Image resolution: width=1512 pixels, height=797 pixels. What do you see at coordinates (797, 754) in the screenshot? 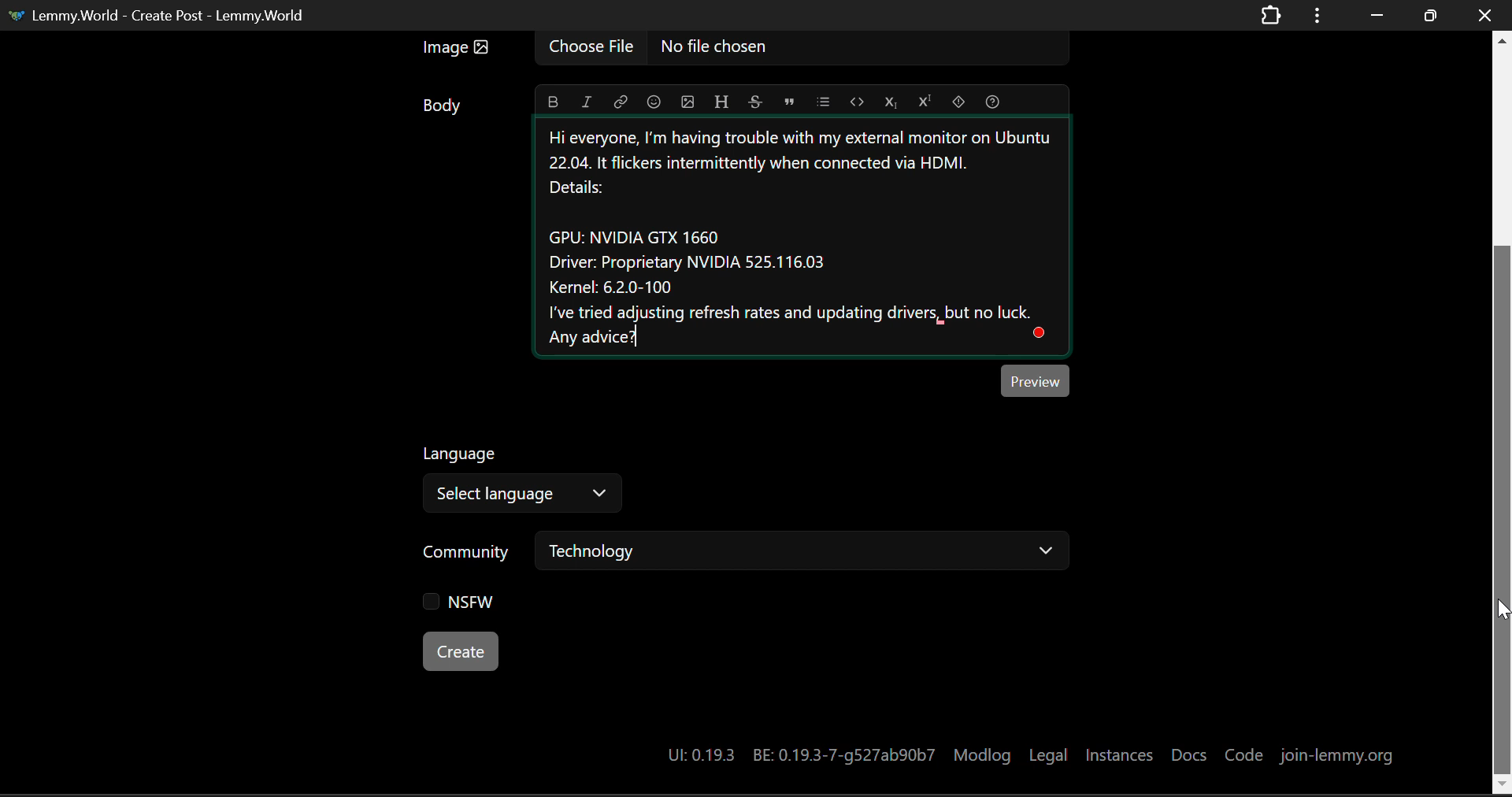
I see `UI:0.19.3 BE:0.19.3-7-g527ab90b7` at bounding box center [797, 754].